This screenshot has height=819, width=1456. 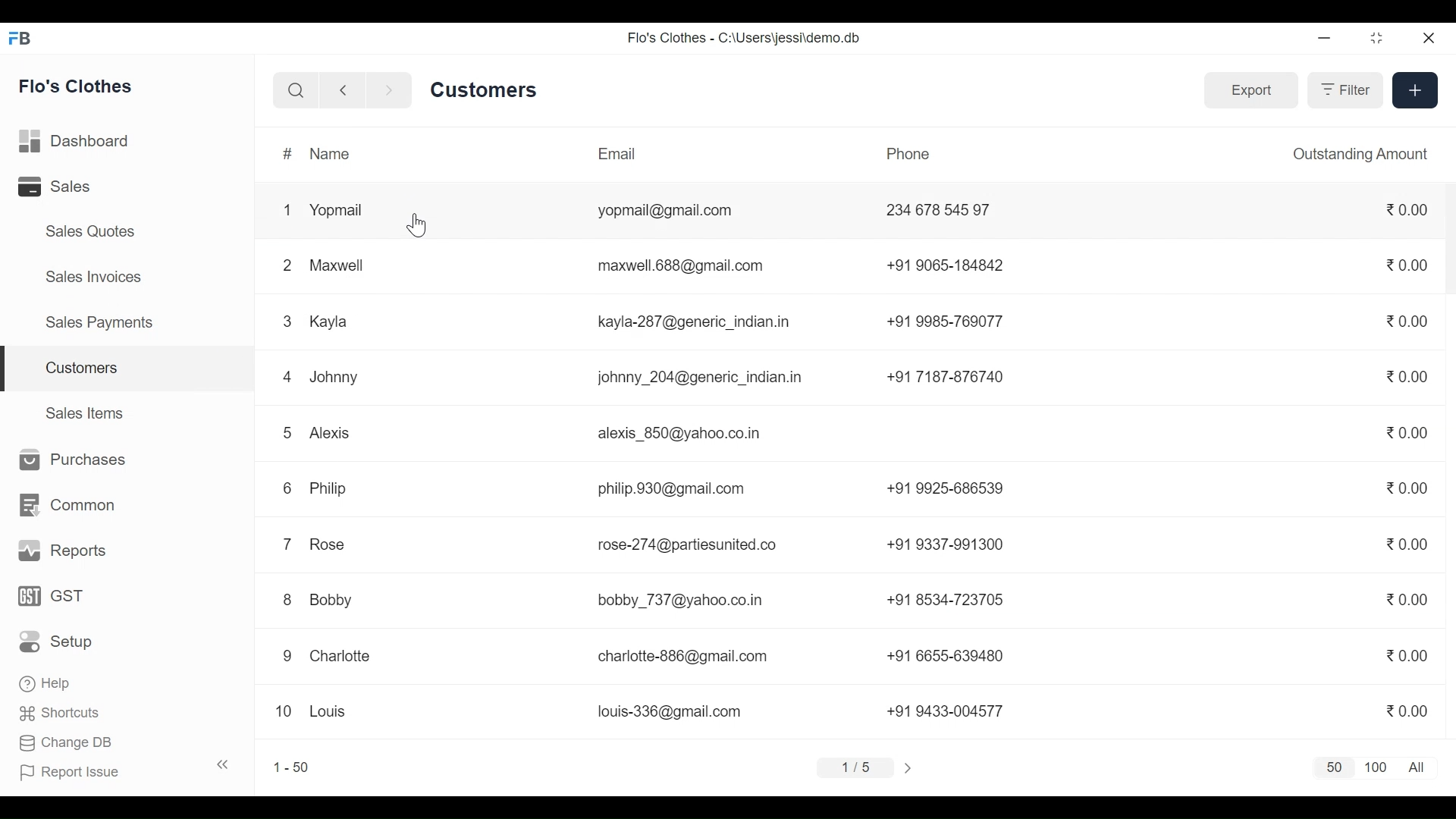 What do you see at coordinates (328, 544) in the screenshot?
I see `Rose` at bounding box center [328, 544].